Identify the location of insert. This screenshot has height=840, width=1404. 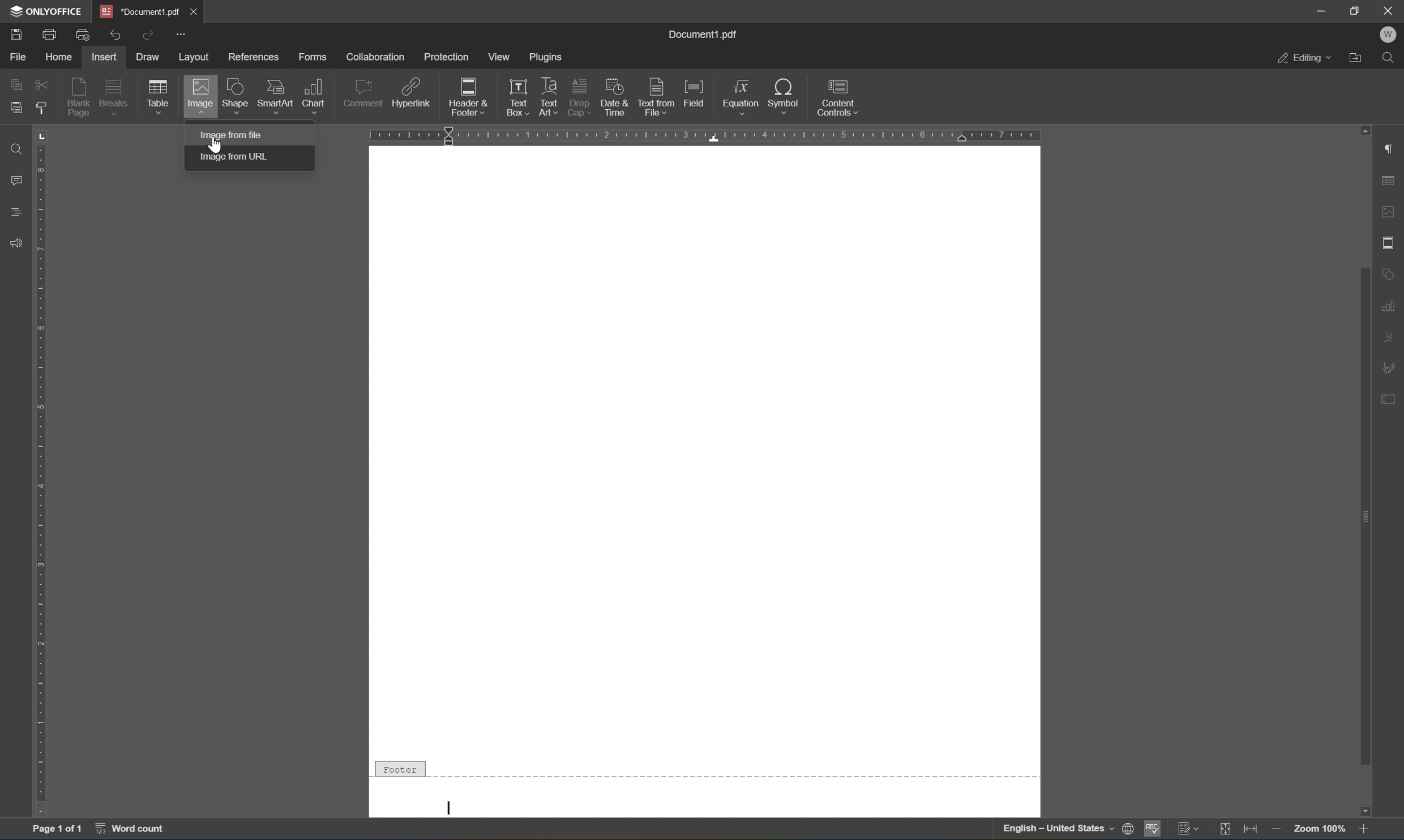
(106, 58).